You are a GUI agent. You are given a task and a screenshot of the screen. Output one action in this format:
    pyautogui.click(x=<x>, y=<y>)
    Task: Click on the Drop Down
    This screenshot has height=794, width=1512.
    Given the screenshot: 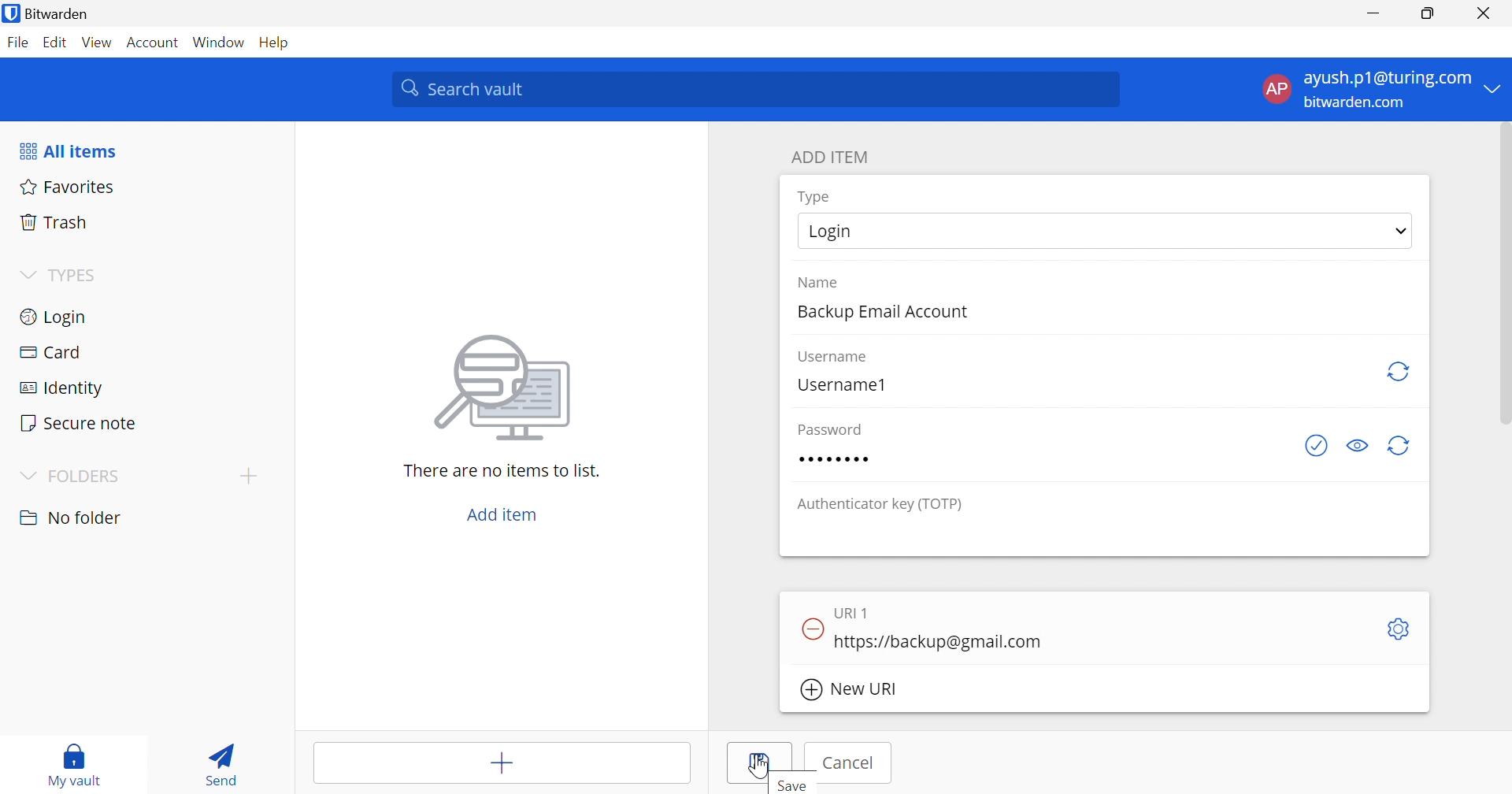 What is the action you would take?
    pyautogui.click(x=28, y=275)
    